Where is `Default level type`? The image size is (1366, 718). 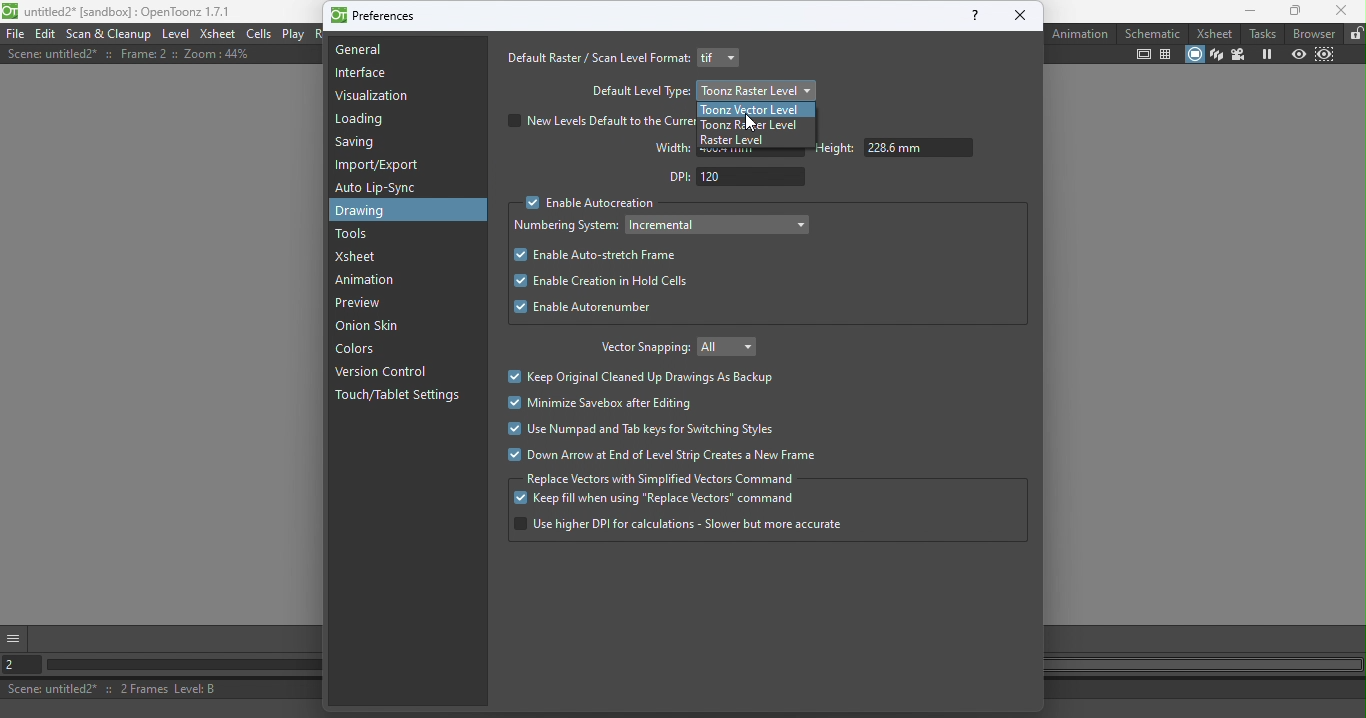
Default level type is located at coordinates (638, 90).